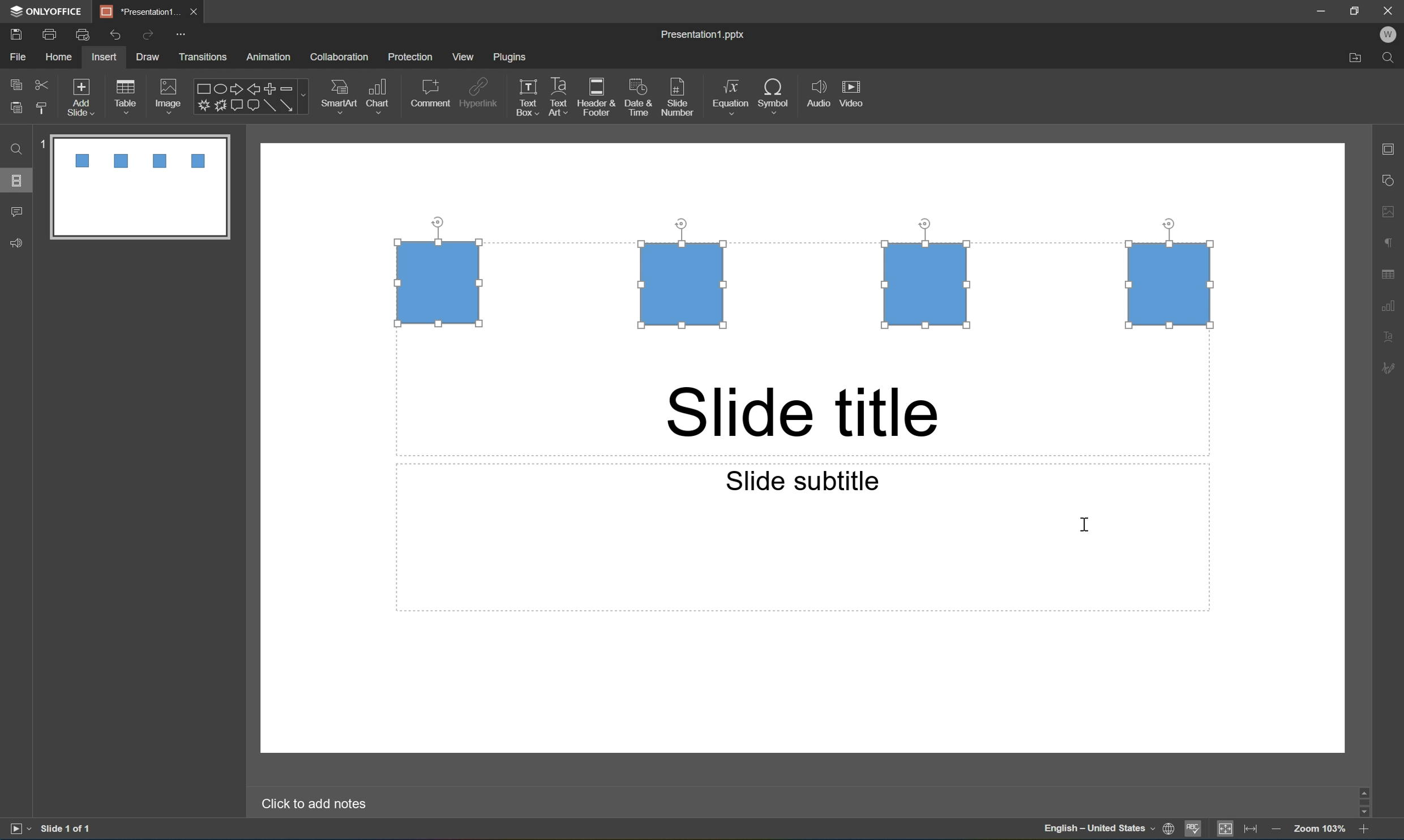 This screenshot has height=840, width=1404. Describe the element at coordinates (145, 57) in the screenshot. I see `draw` at that location.